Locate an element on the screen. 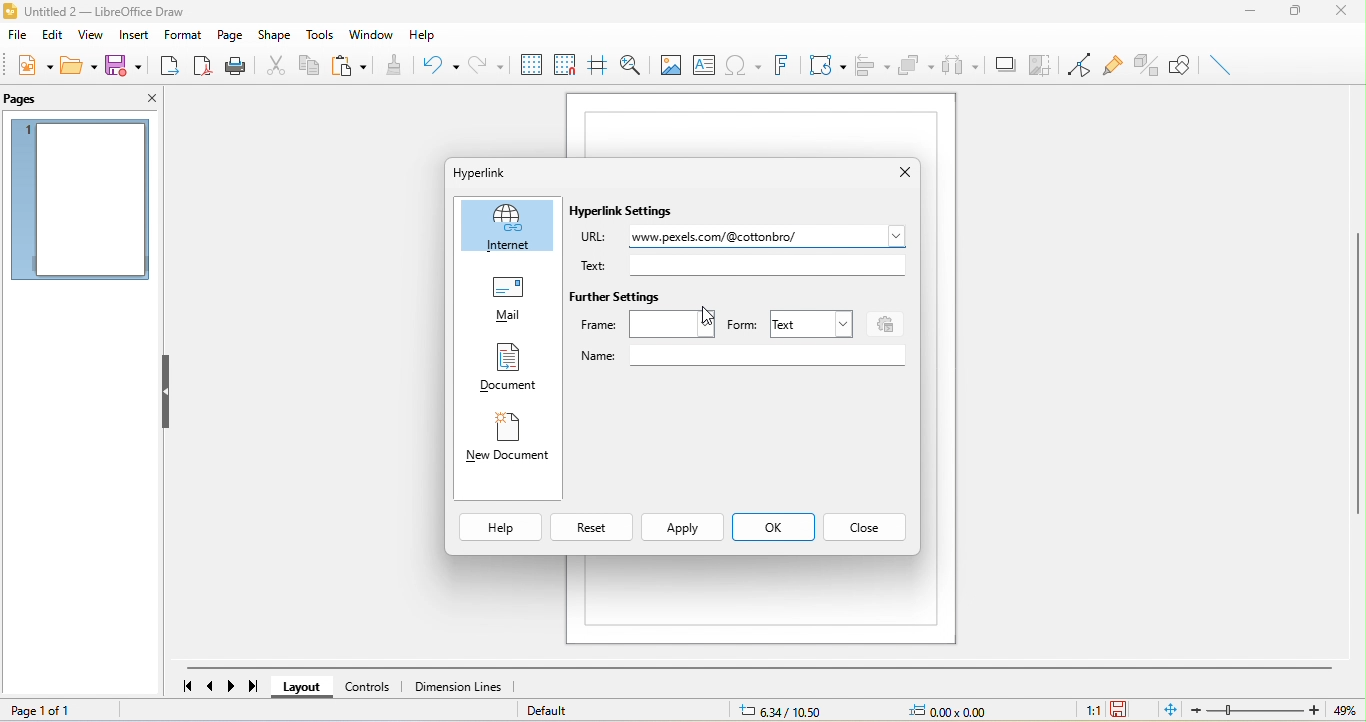 The image size is (1366, 722). horizontal scroll bar is located at coordinates (764, 667).